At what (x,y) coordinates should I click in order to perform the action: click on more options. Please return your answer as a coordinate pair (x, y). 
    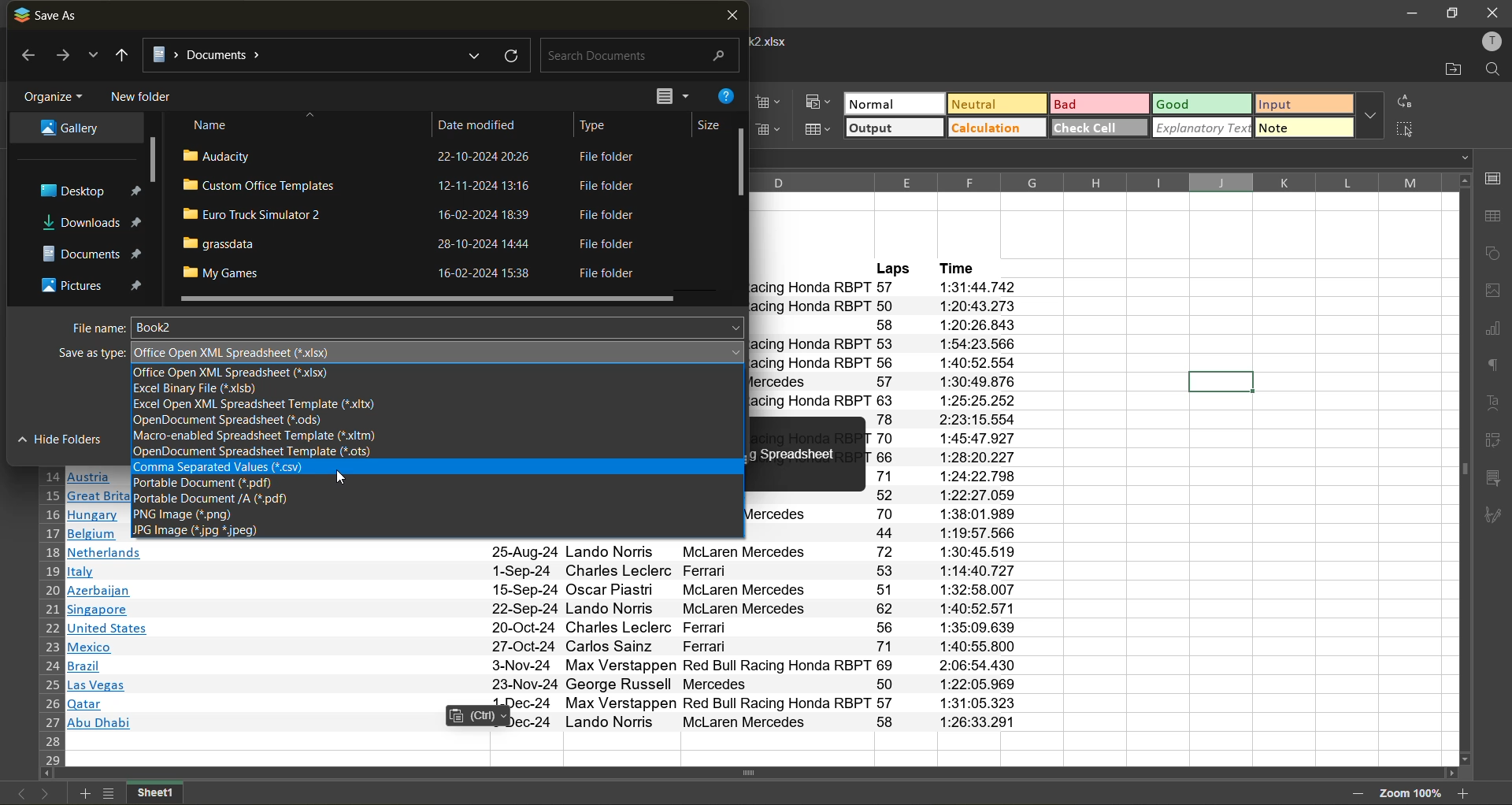
    Looking at the image, I should click on (1370, 115).